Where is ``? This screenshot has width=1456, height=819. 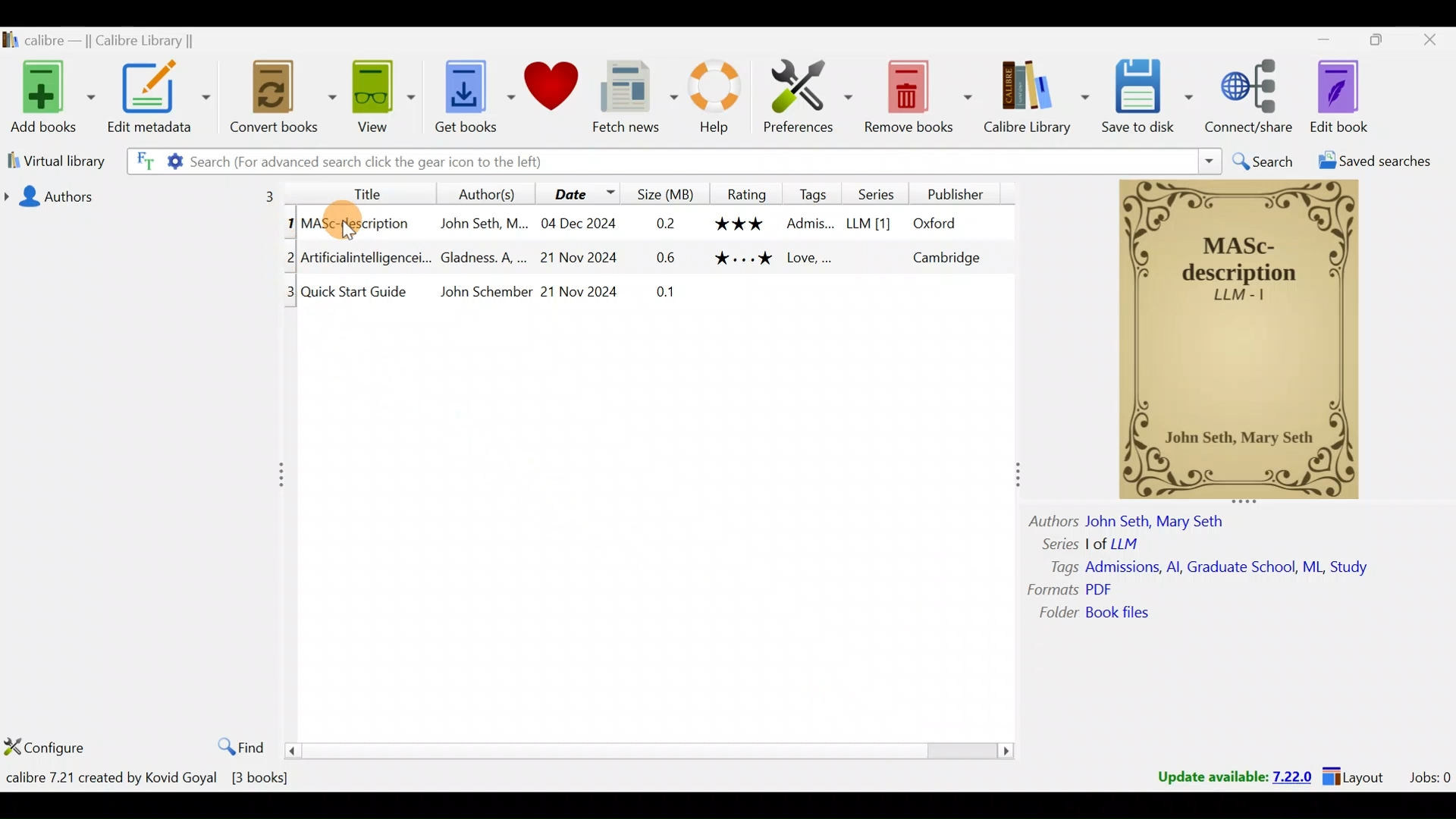  is located at coordinates (872, 224).